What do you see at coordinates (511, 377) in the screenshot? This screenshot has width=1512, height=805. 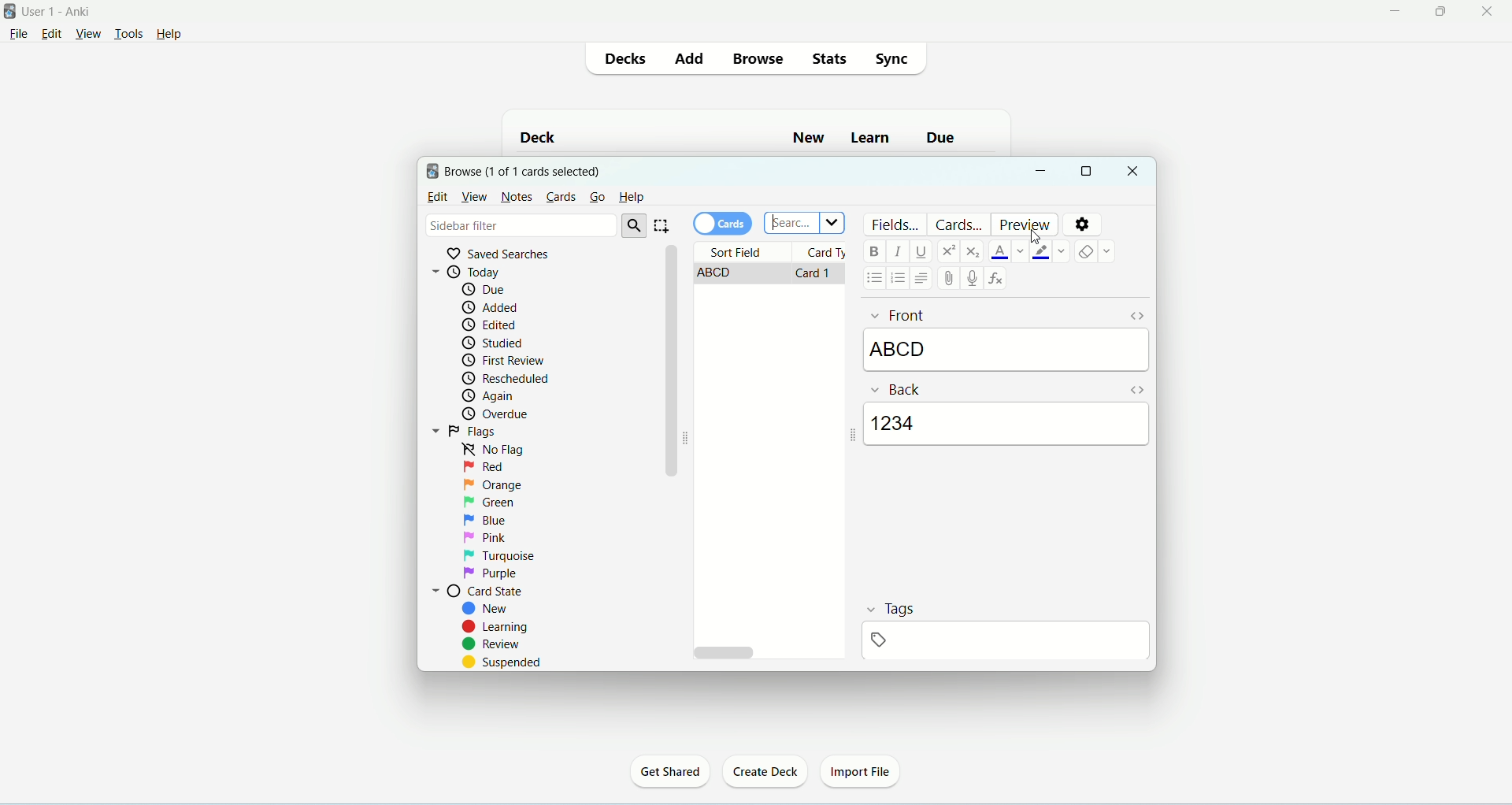 I see `rescheduled` at bounding box center [511, 377].